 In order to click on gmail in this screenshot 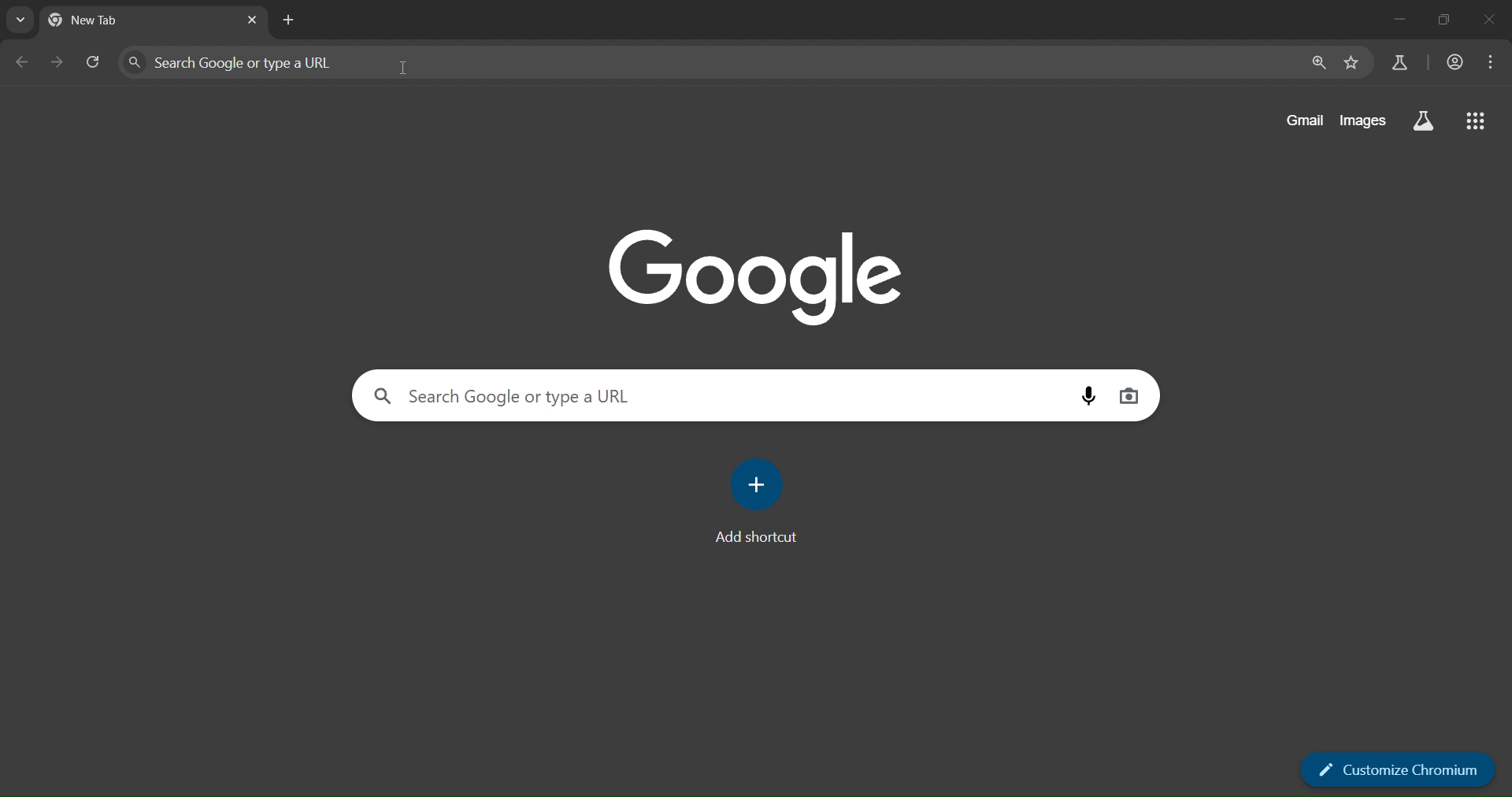, I will do `click(1300, 120)`.